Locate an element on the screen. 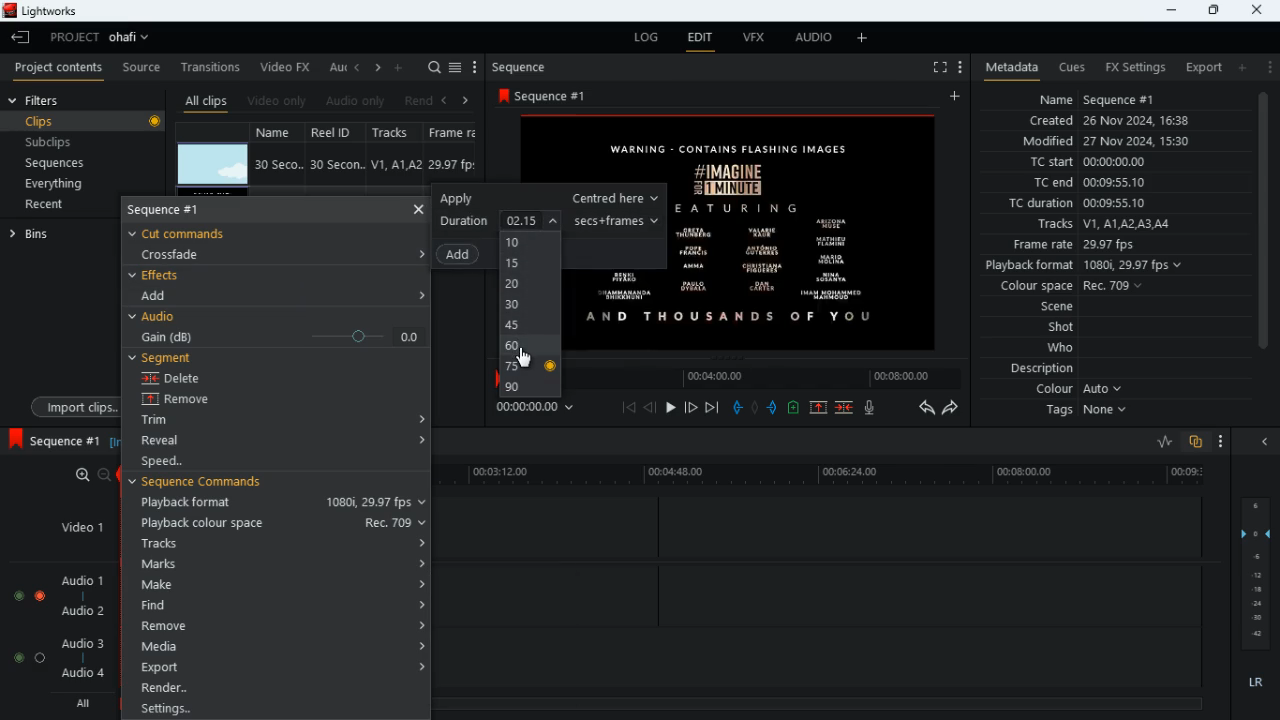  audio 2 is located at coordinates (78, 613).